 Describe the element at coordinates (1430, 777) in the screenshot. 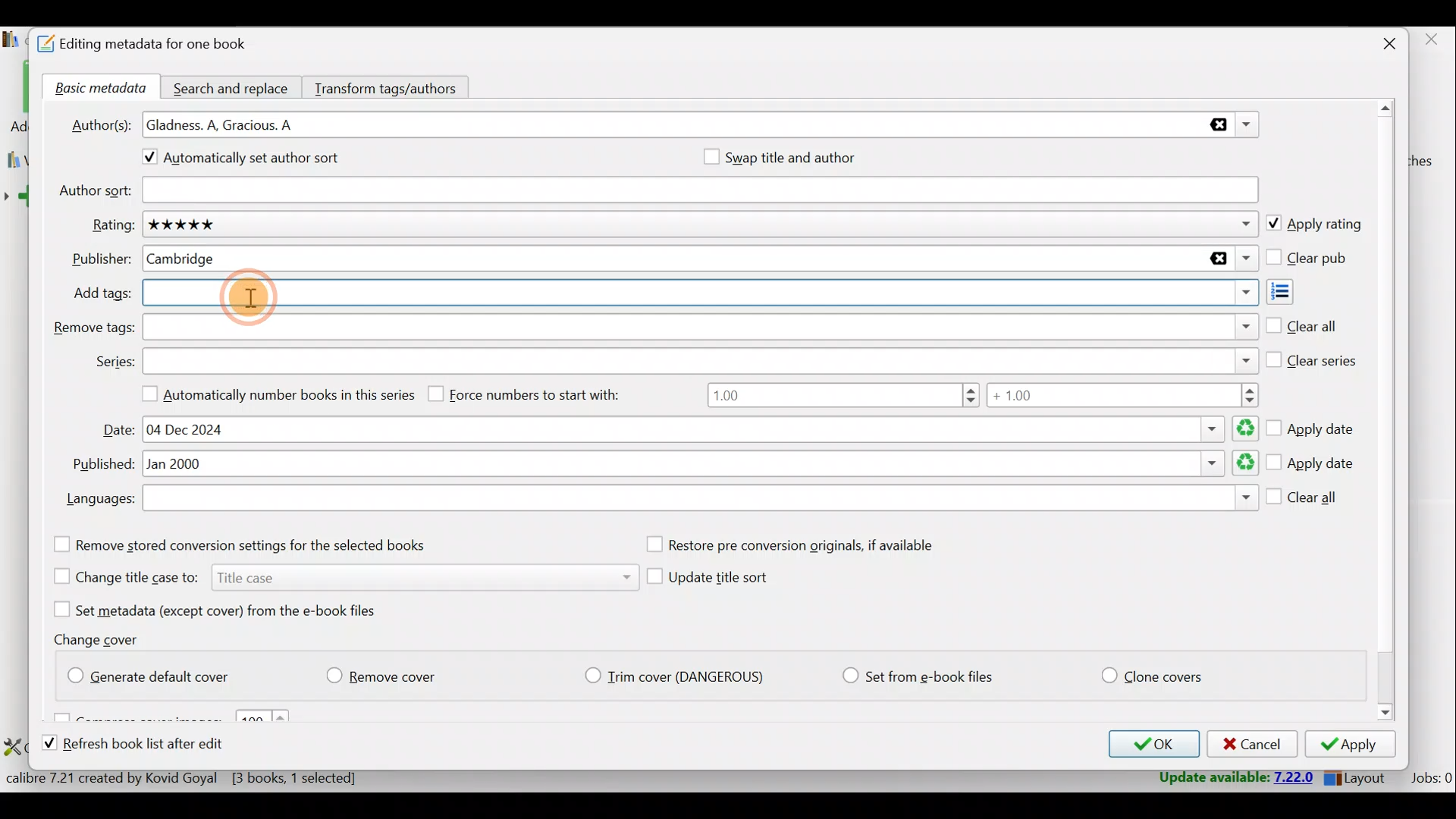

I see `Jobs` at that location.